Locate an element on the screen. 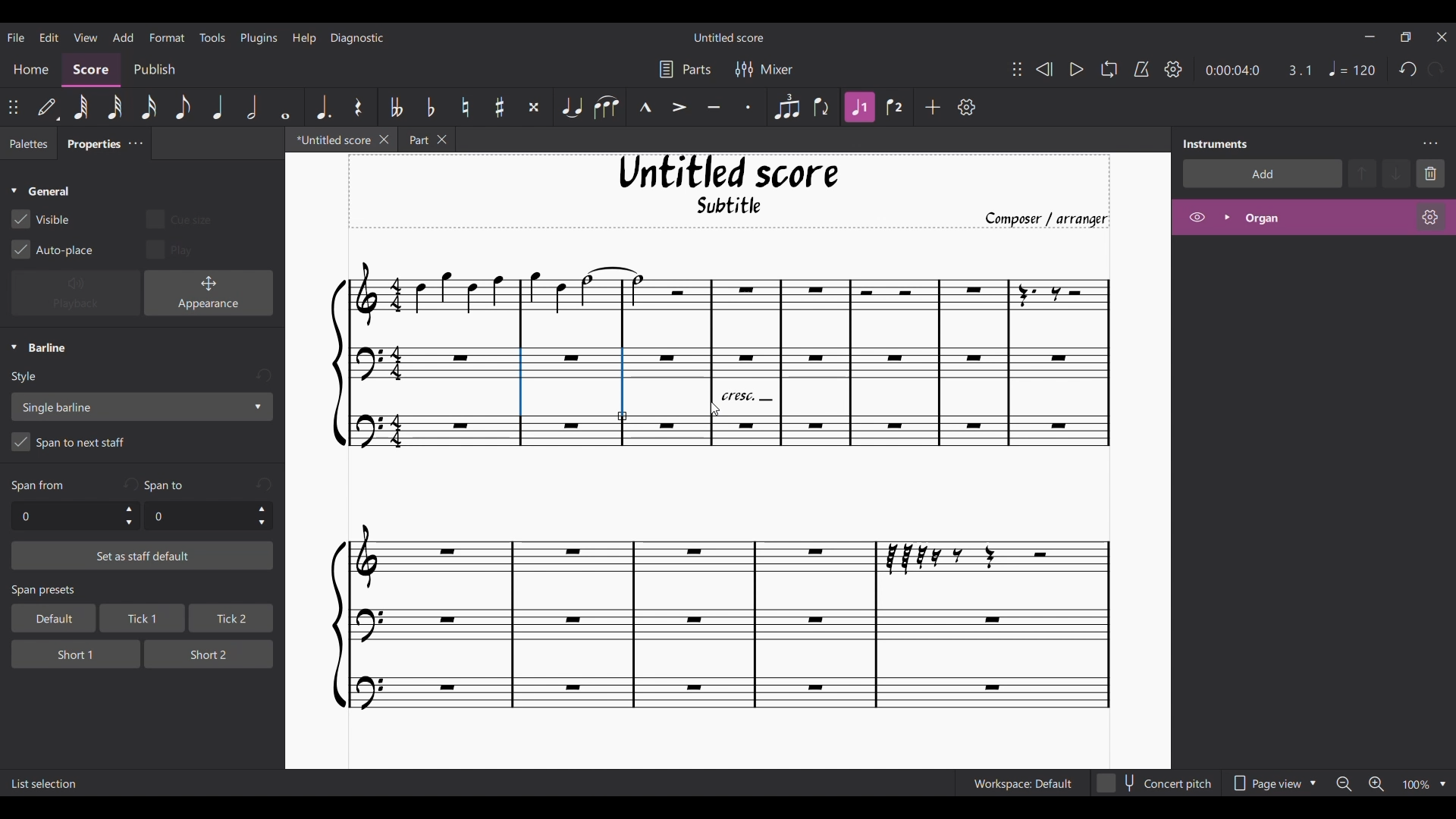 This screenshot has width=1456, height=819. Indicates input for Style is located at coordinates (27, 378).